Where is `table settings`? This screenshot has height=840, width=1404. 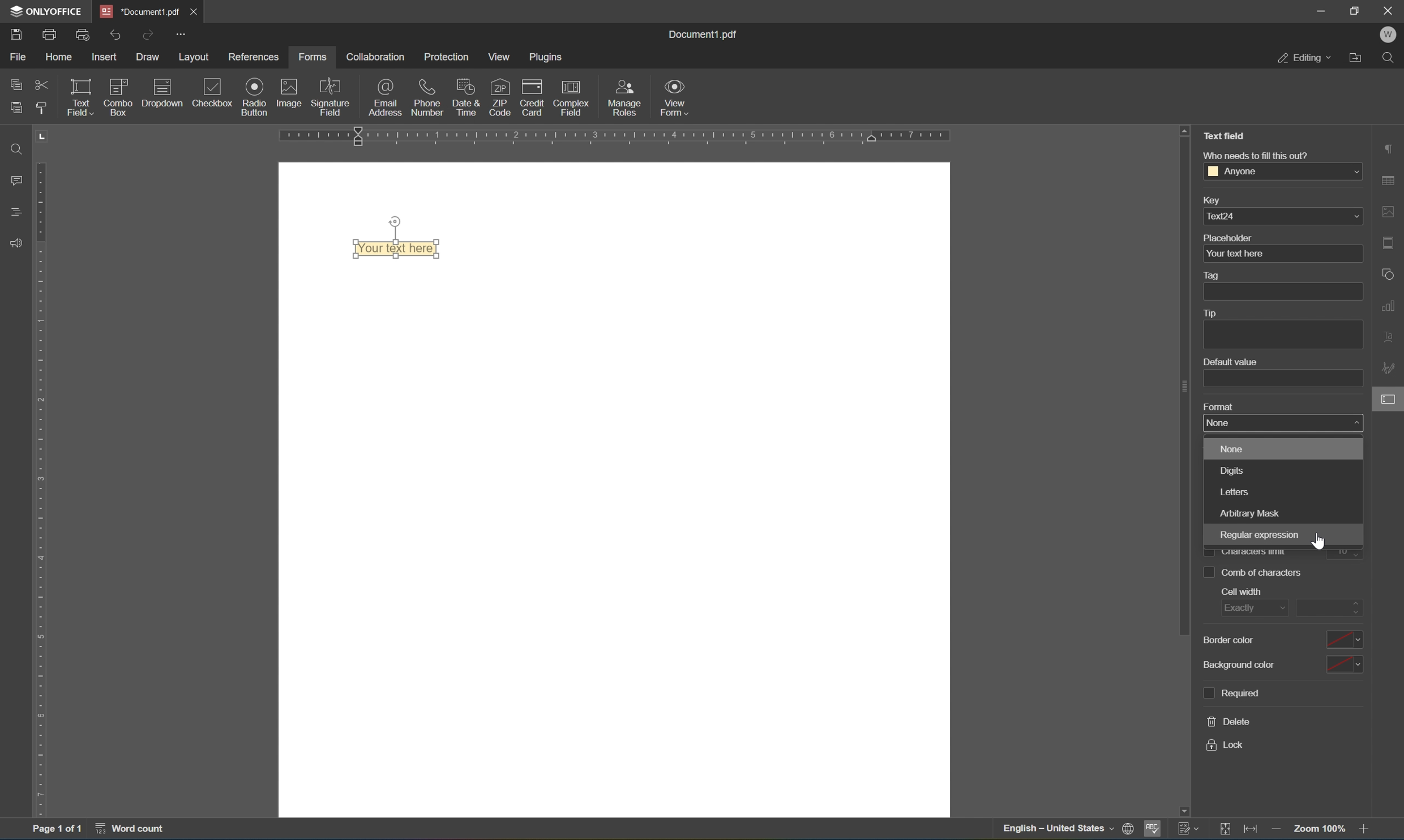
table settings is located at coordinates (1390, 182).